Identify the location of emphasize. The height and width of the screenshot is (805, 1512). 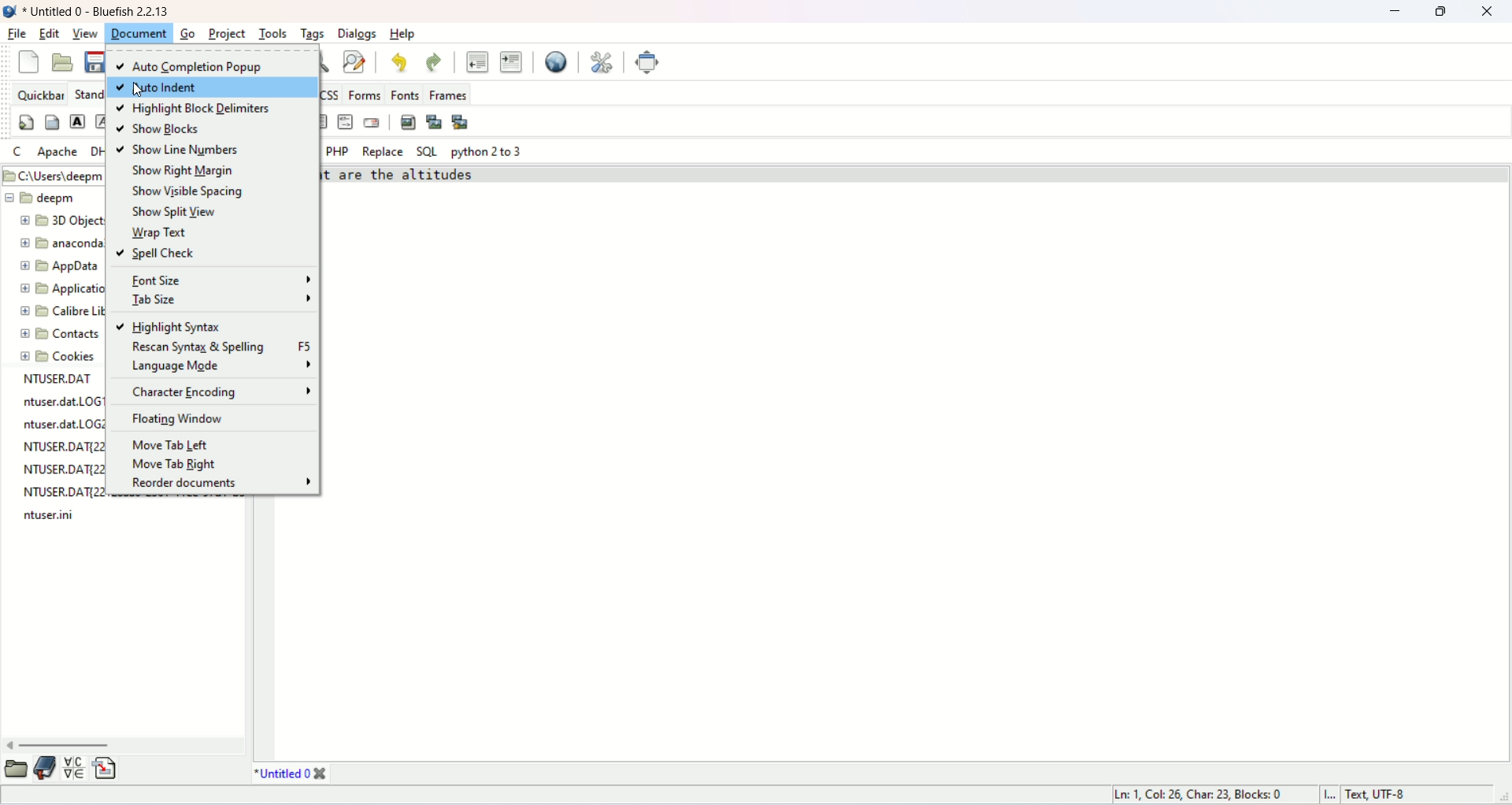
(103, 124).